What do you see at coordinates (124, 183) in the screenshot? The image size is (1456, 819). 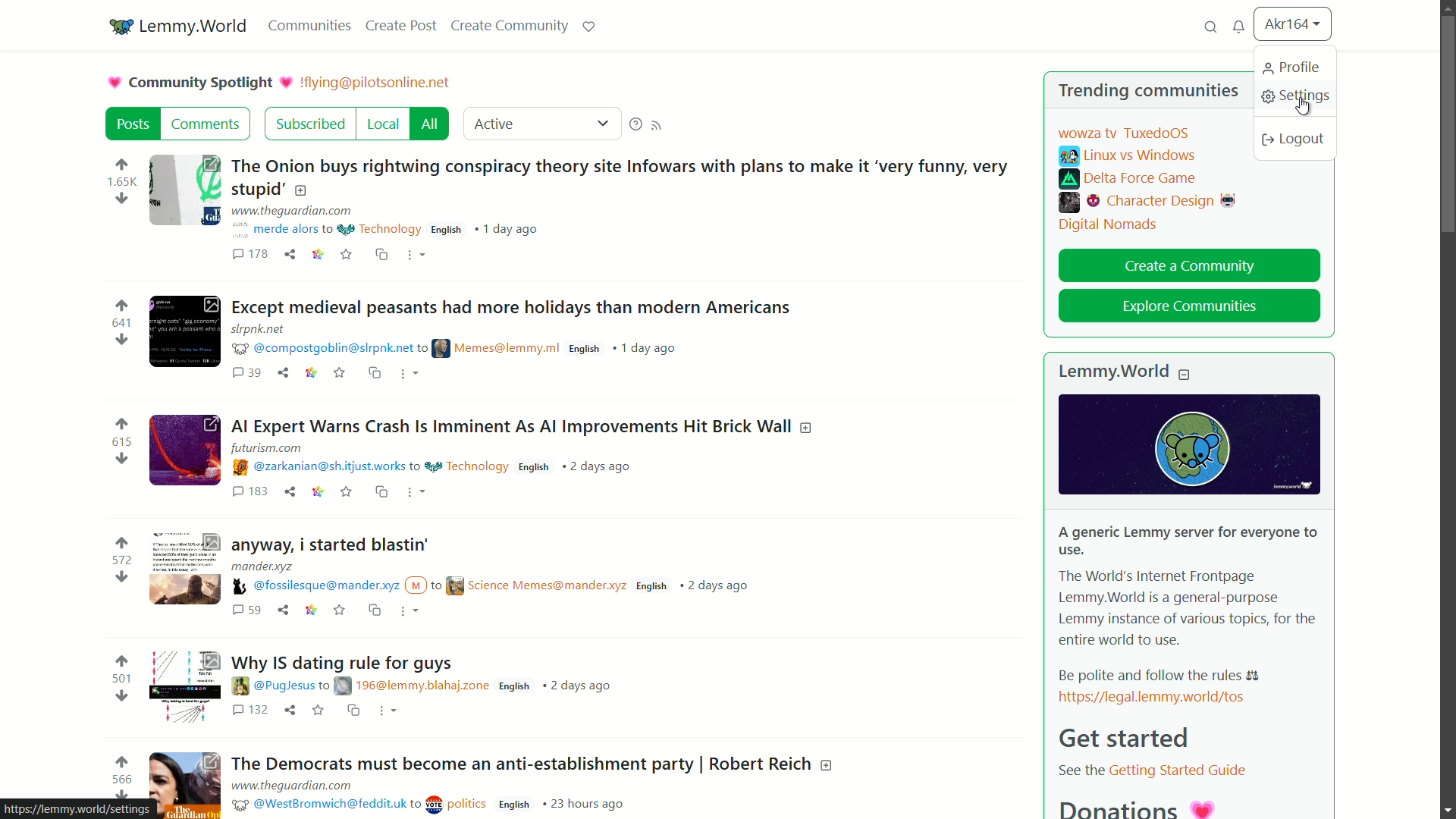 I see `number of votes` at bounding box center [124, 183].